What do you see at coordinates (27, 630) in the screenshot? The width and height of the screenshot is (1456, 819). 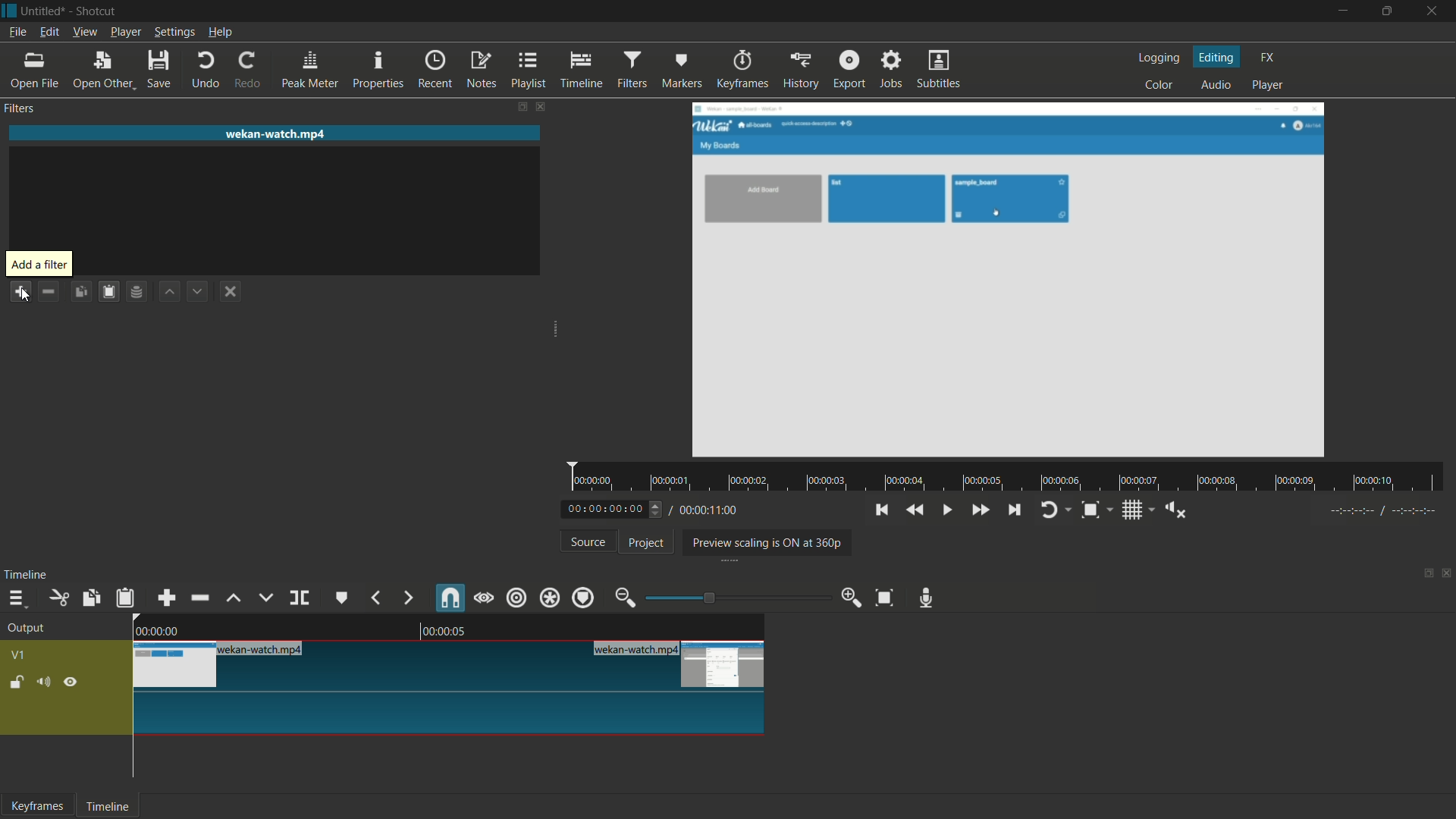 I see `output` at bounding box center [27, 630].